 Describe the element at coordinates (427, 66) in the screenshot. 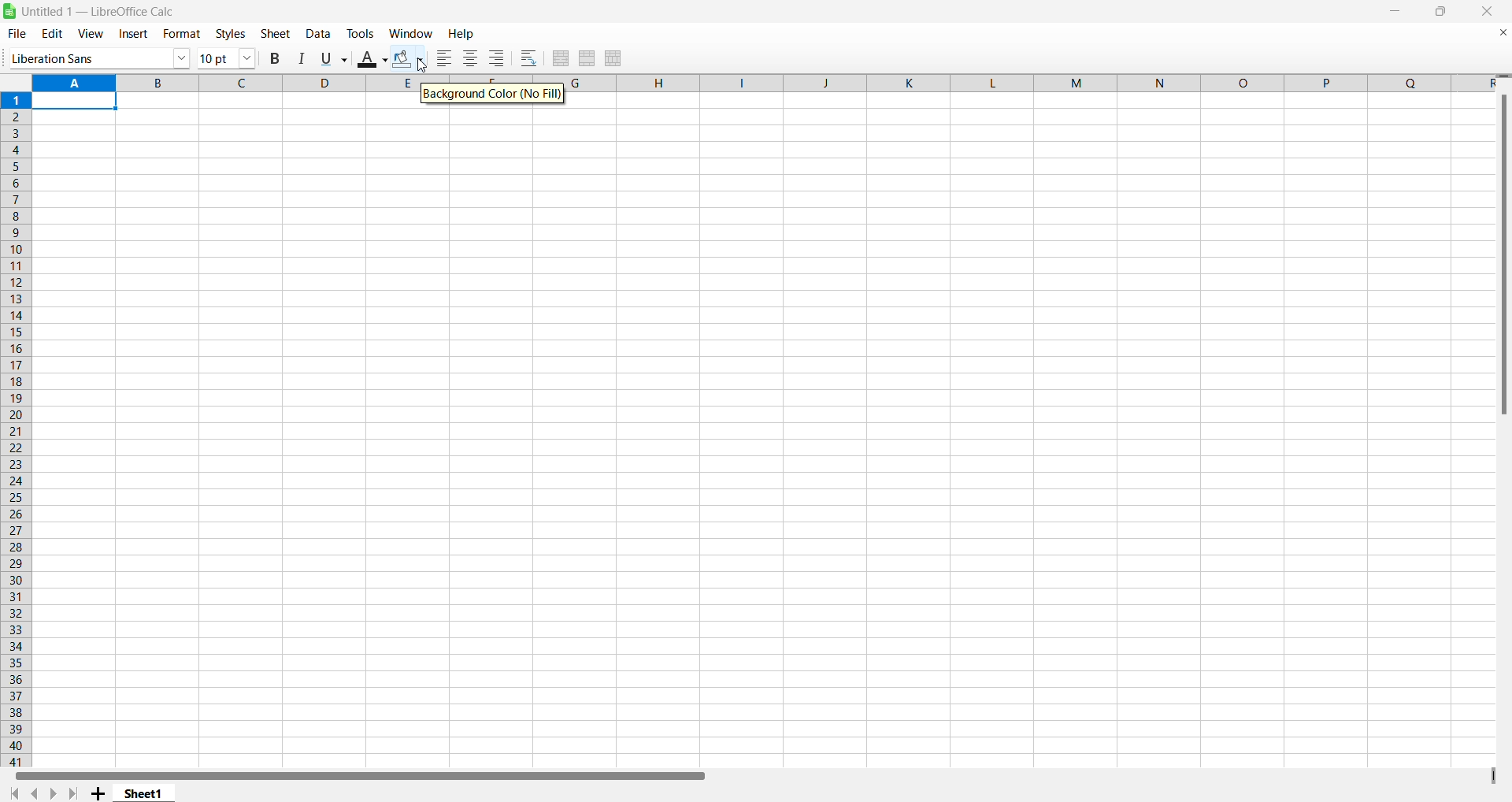

I see `cursor` at that location.